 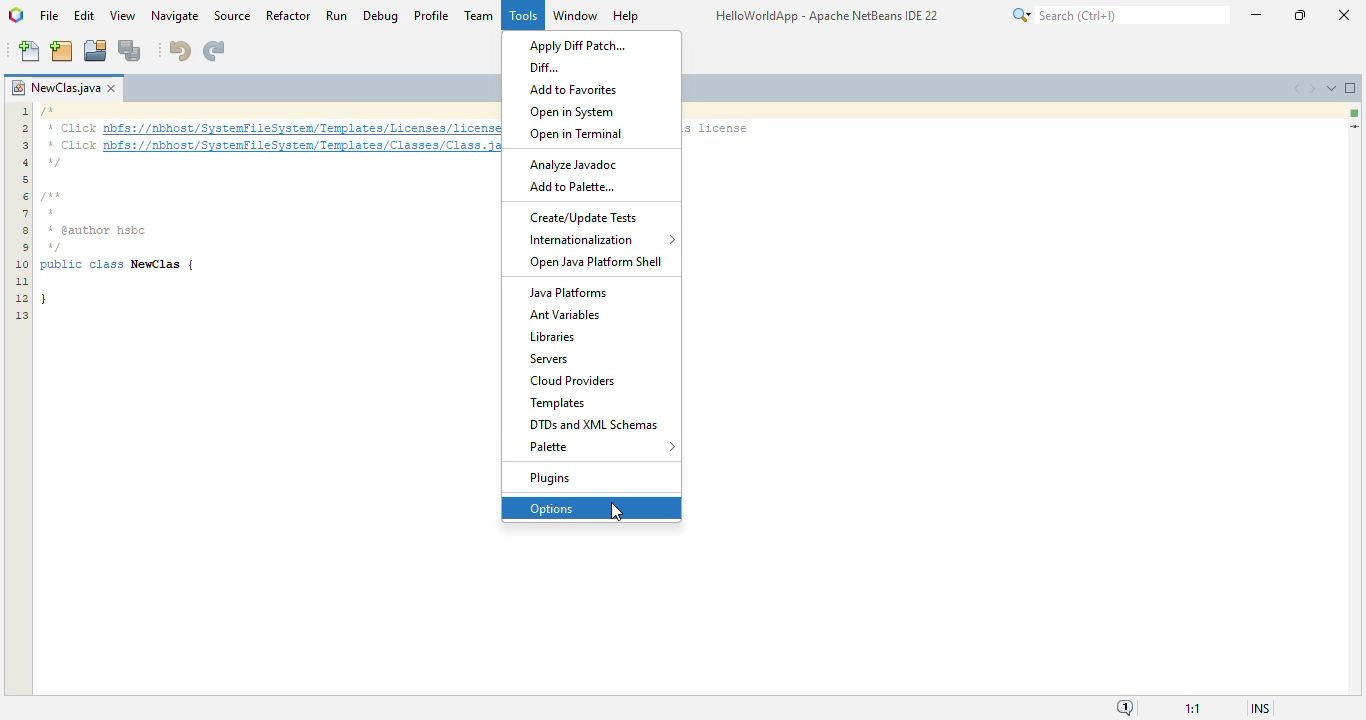 I want to click on 1 2 3 4 5 6 7 8 9 10 11 12 13, so click(x=20, y=214).